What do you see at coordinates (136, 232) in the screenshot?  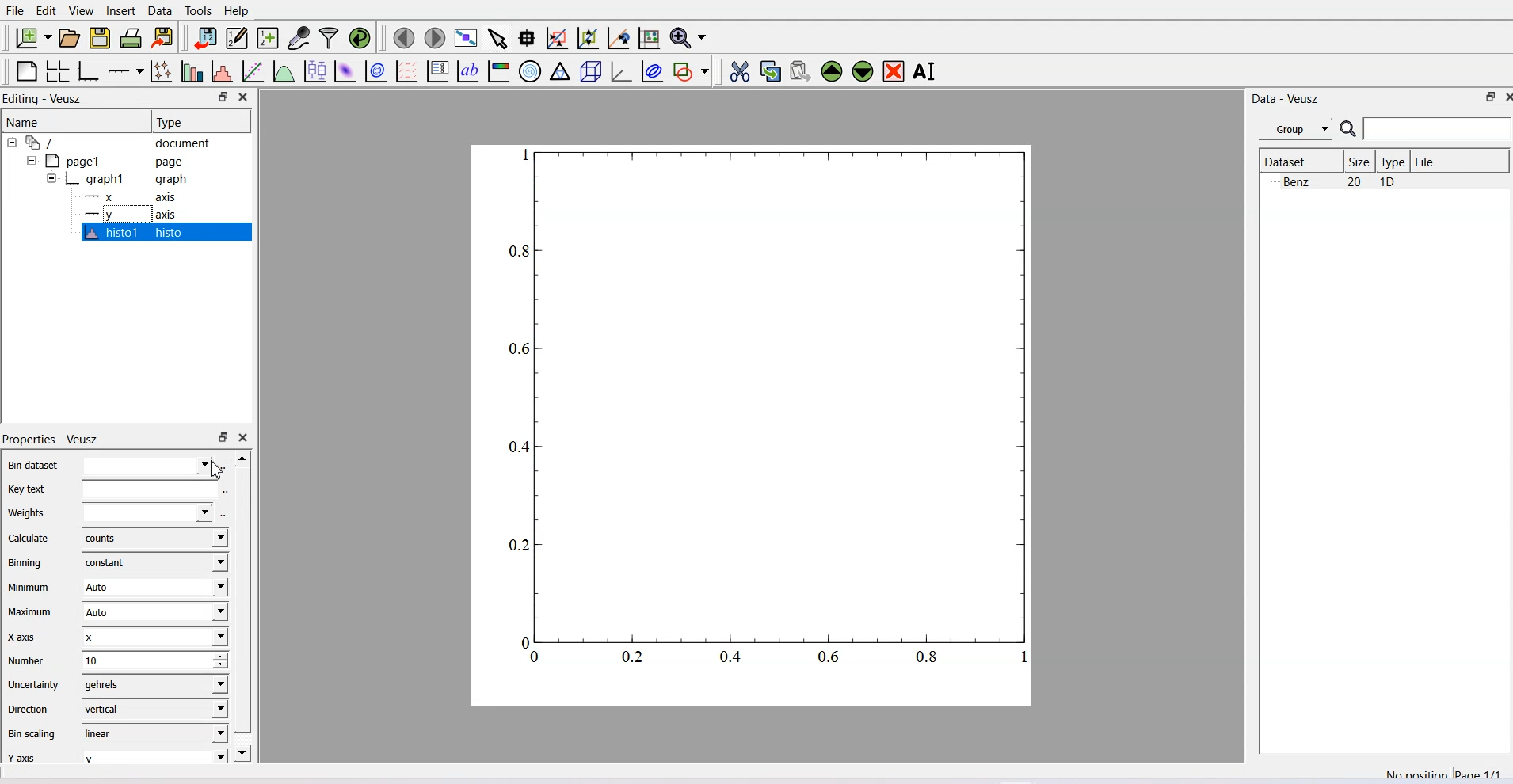 I see `histo1 histo` at bounding box center [136, 232].